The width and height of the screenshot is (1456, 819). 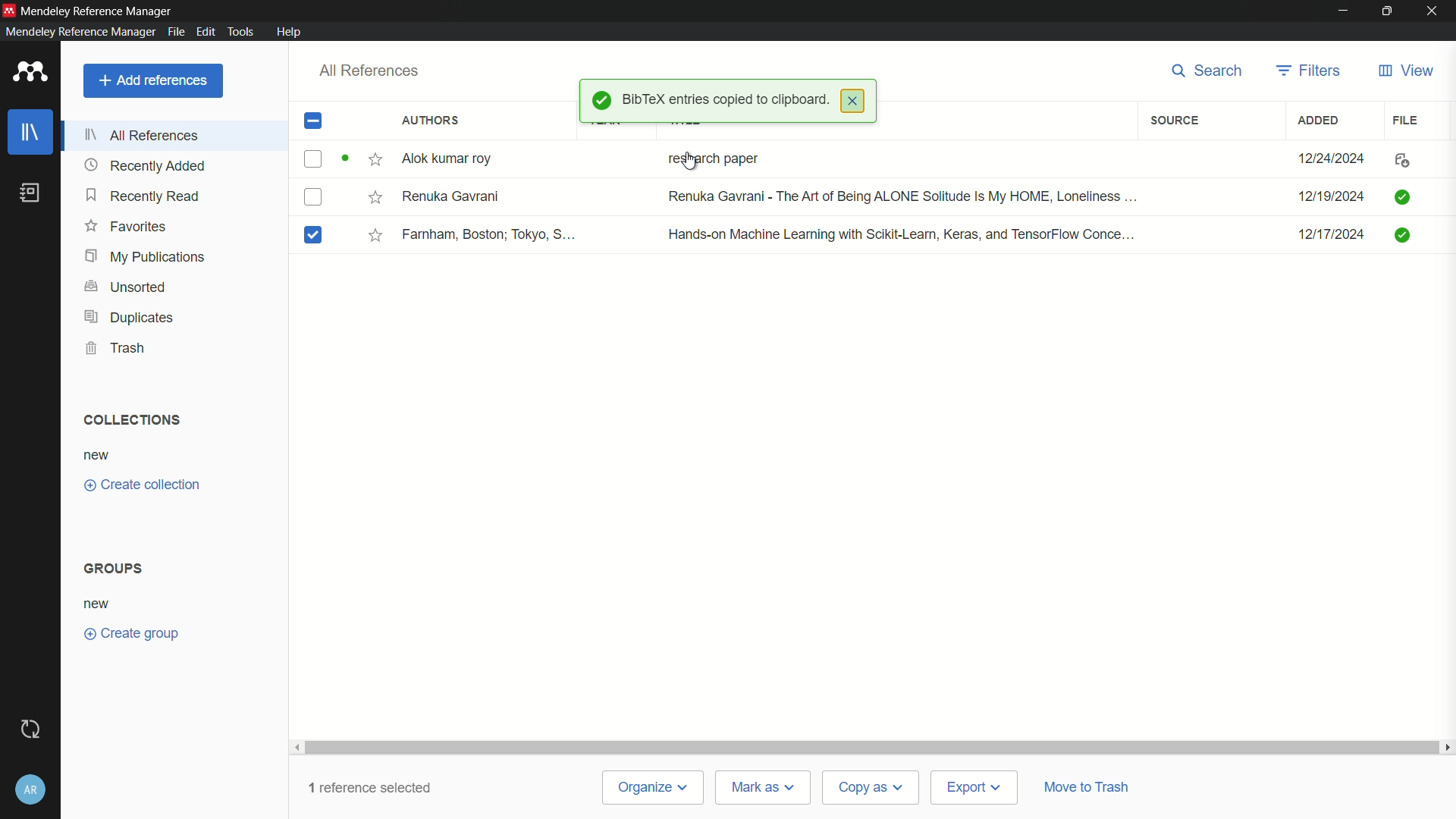 What do you see at coordinates (99, 454) in the screenshot?
I see `new` at bounding box center [99, 454].